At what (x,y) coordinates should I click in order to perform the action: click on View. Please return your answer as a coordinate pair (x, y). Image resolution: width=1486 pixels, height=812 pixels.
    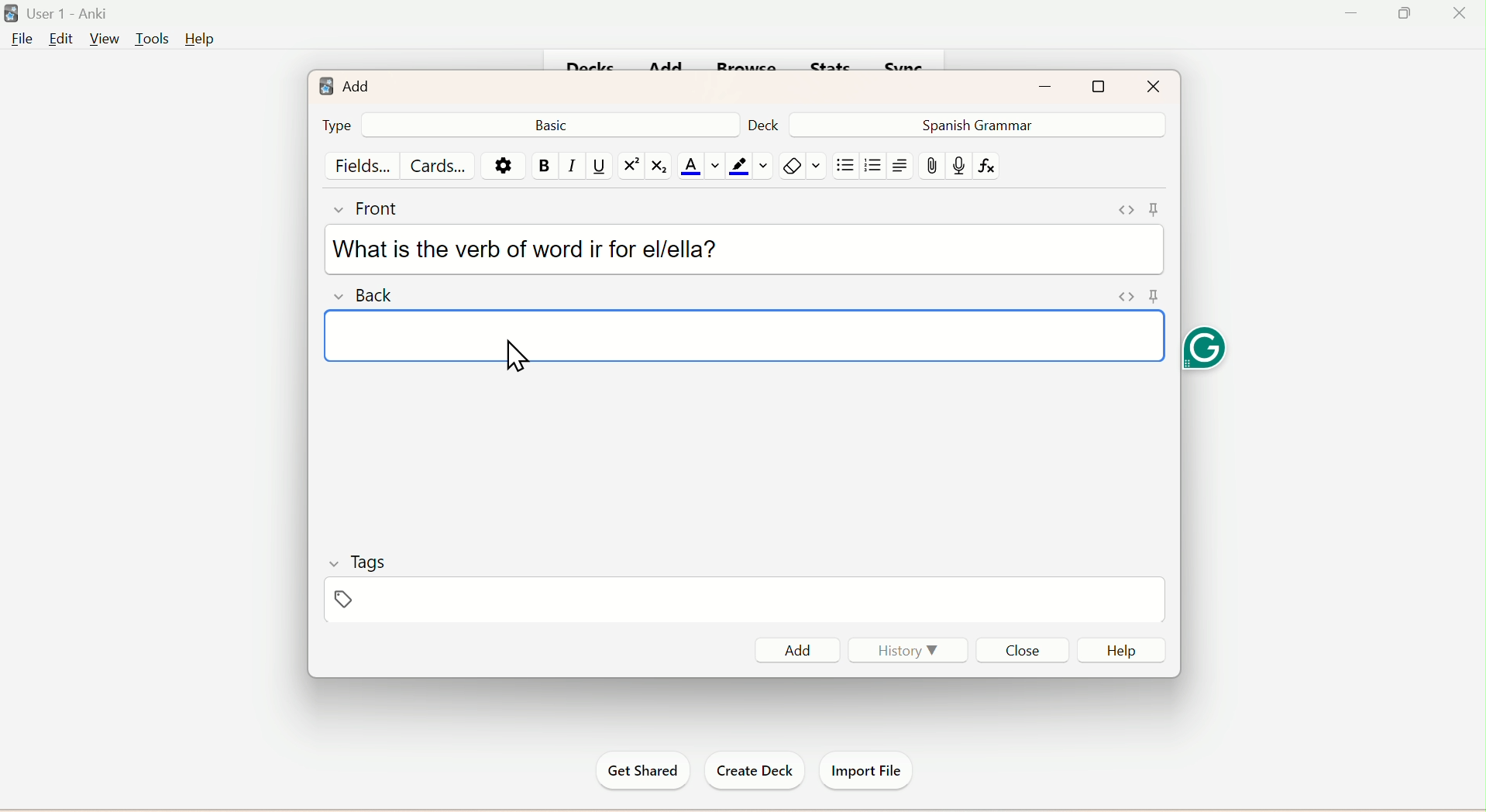
    Looking at the image, I should click on (102, 39).